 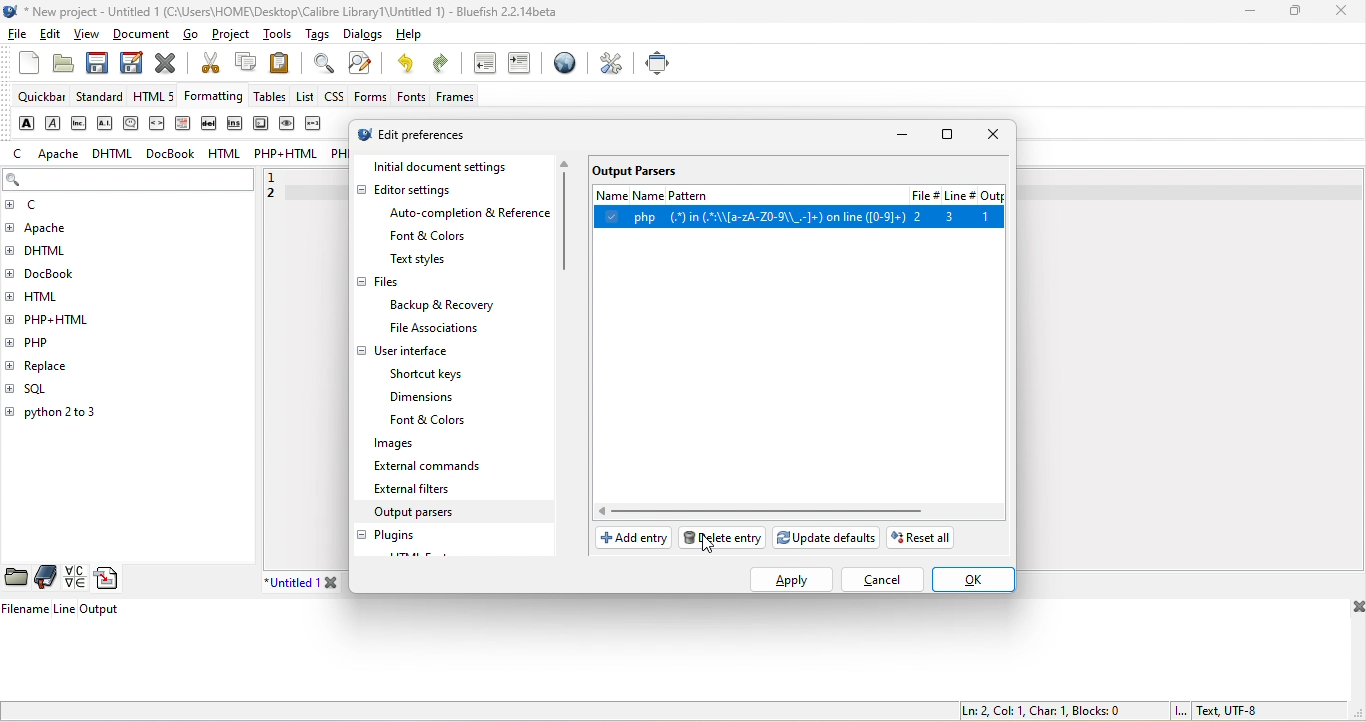 What do you see at coordinates (107, 123) in the screenshot?
I see `acronym` at bounding box center [107, 123].